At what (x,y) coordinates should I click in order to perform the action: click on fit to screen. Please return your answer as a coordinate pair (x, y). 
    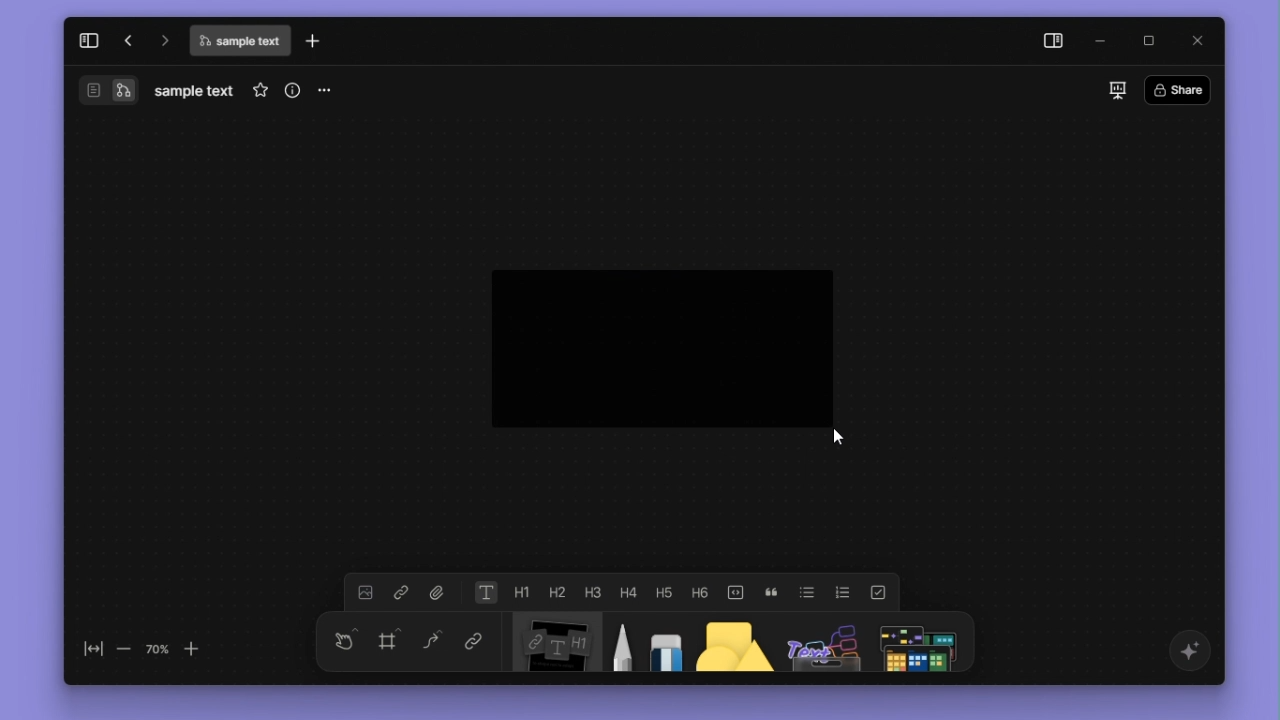
    Looking at the image, I should click on (88, 650).